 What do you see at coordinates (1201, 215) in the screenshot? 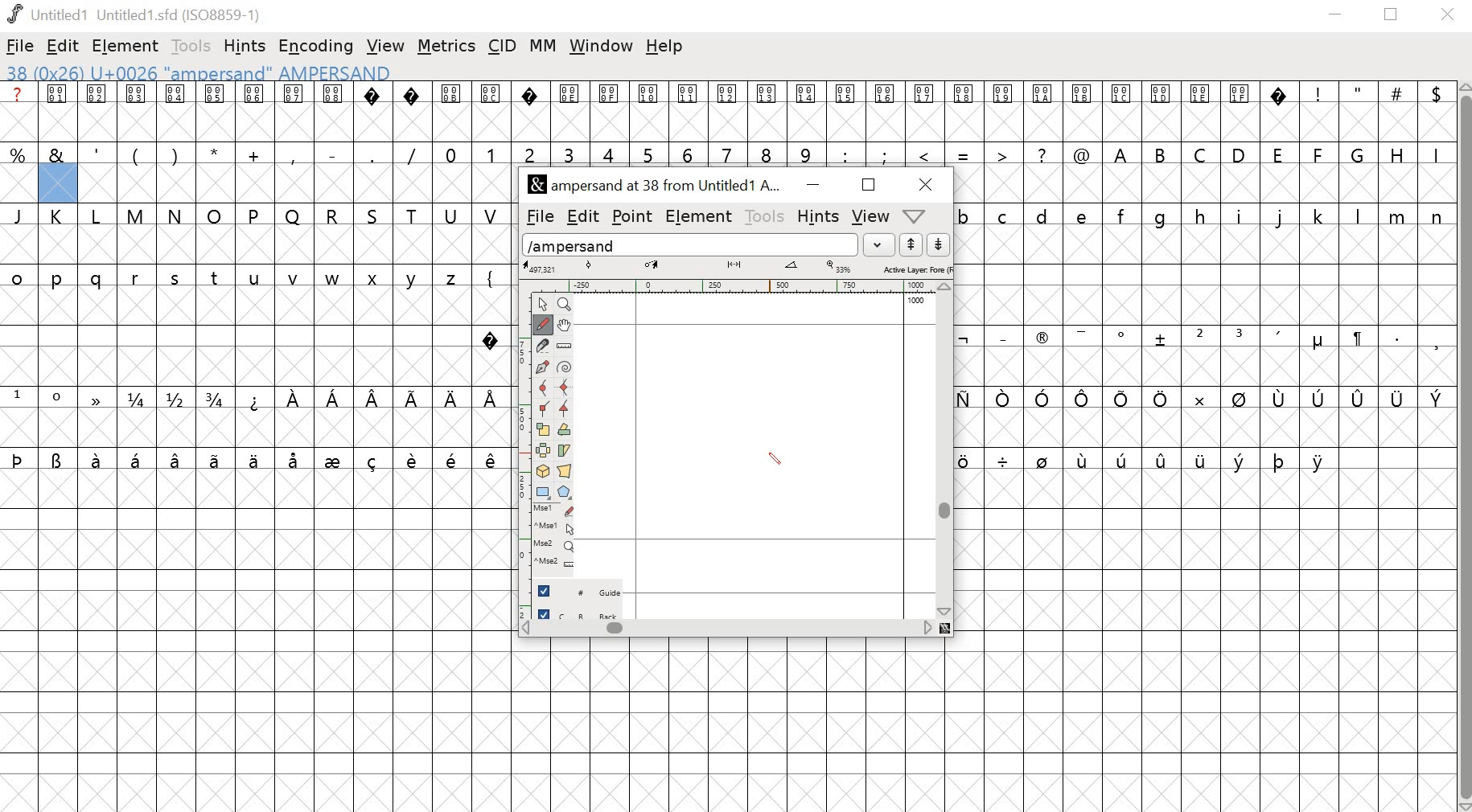
I see `h` at bounding box center [1201, 215].